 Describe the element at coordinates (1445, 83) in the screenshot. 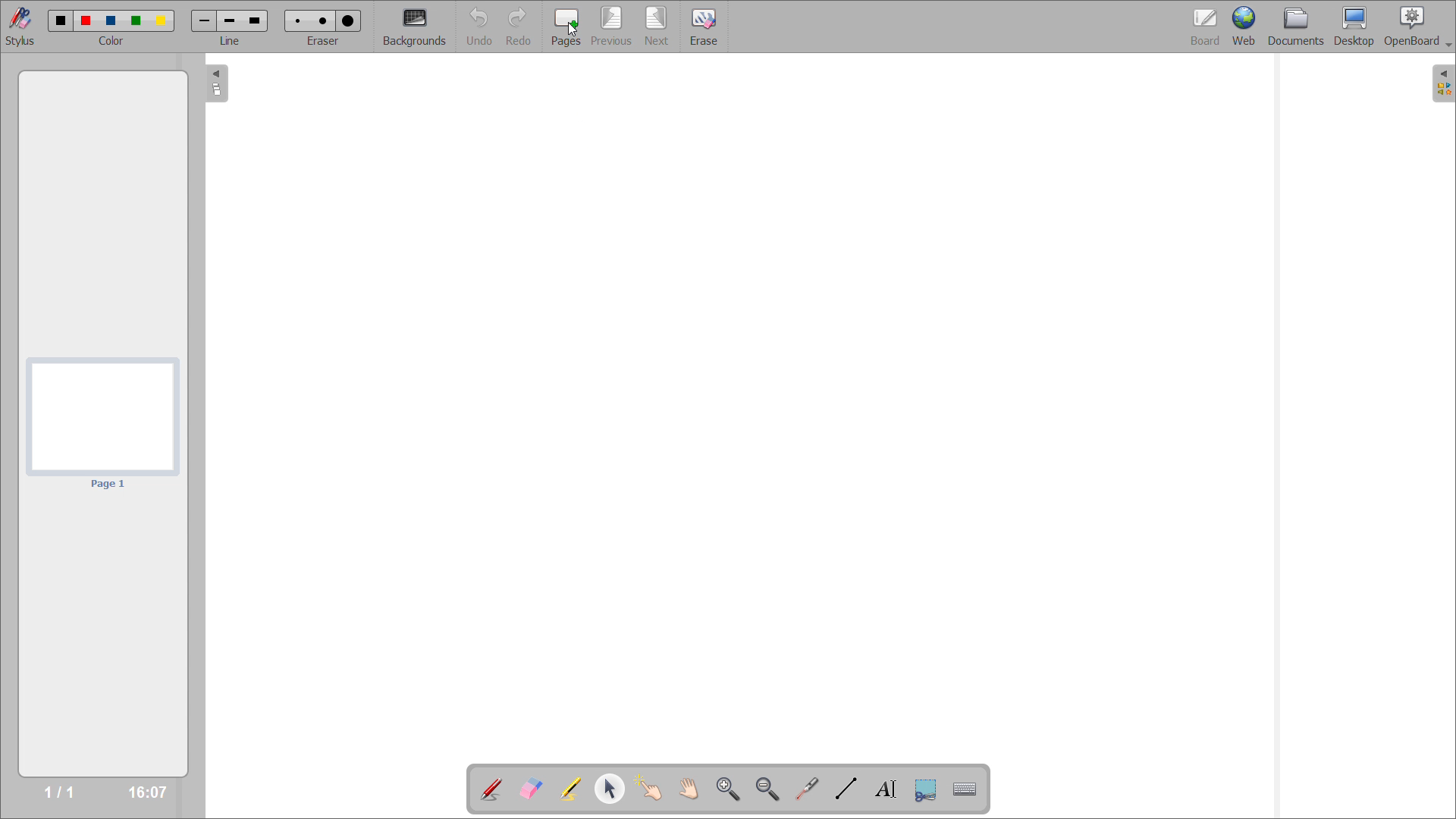

I see `open folders view` at that location.